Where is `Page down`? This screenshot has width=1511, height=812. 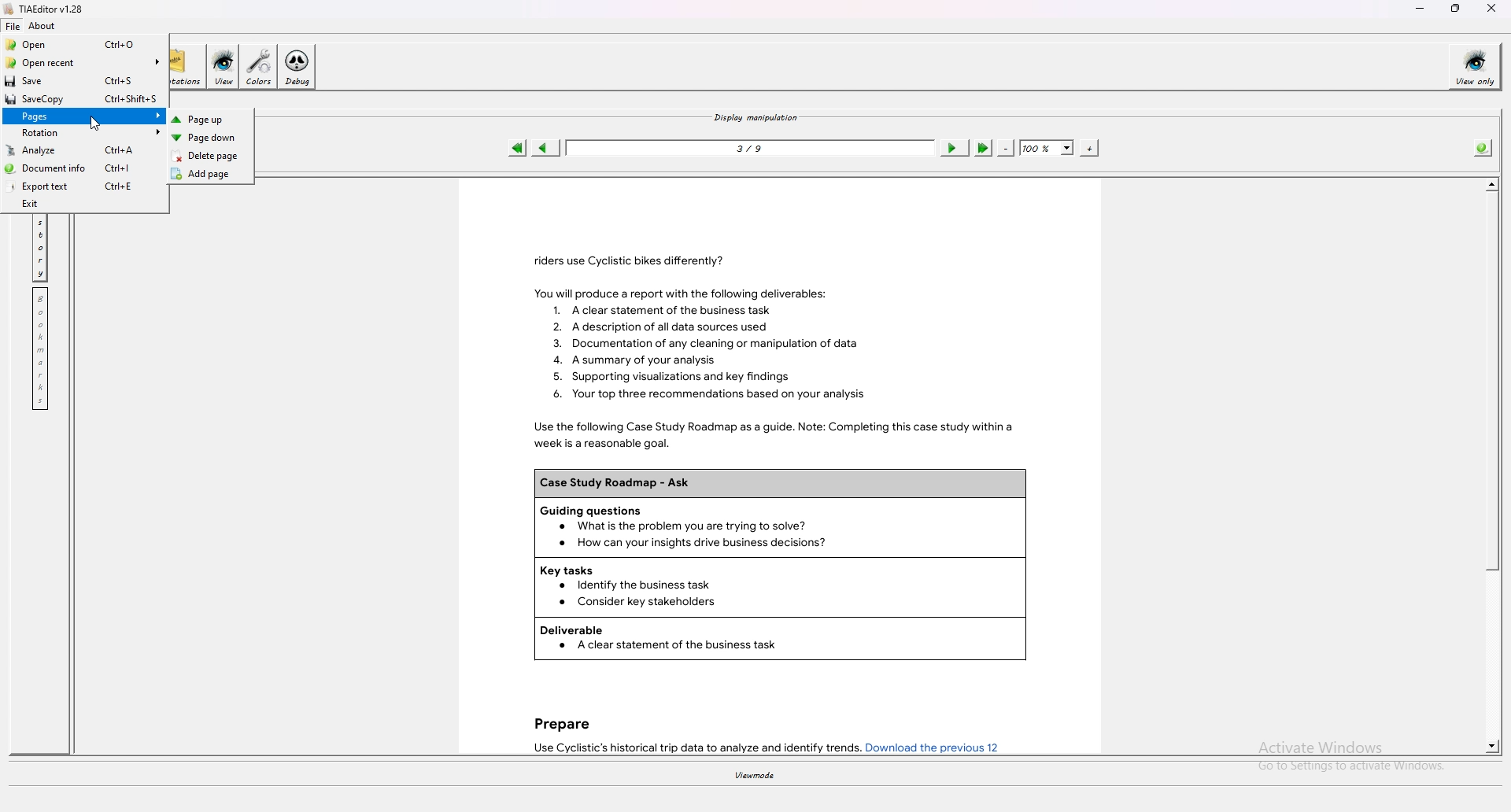 Page down is located at coordinates (206, 138).